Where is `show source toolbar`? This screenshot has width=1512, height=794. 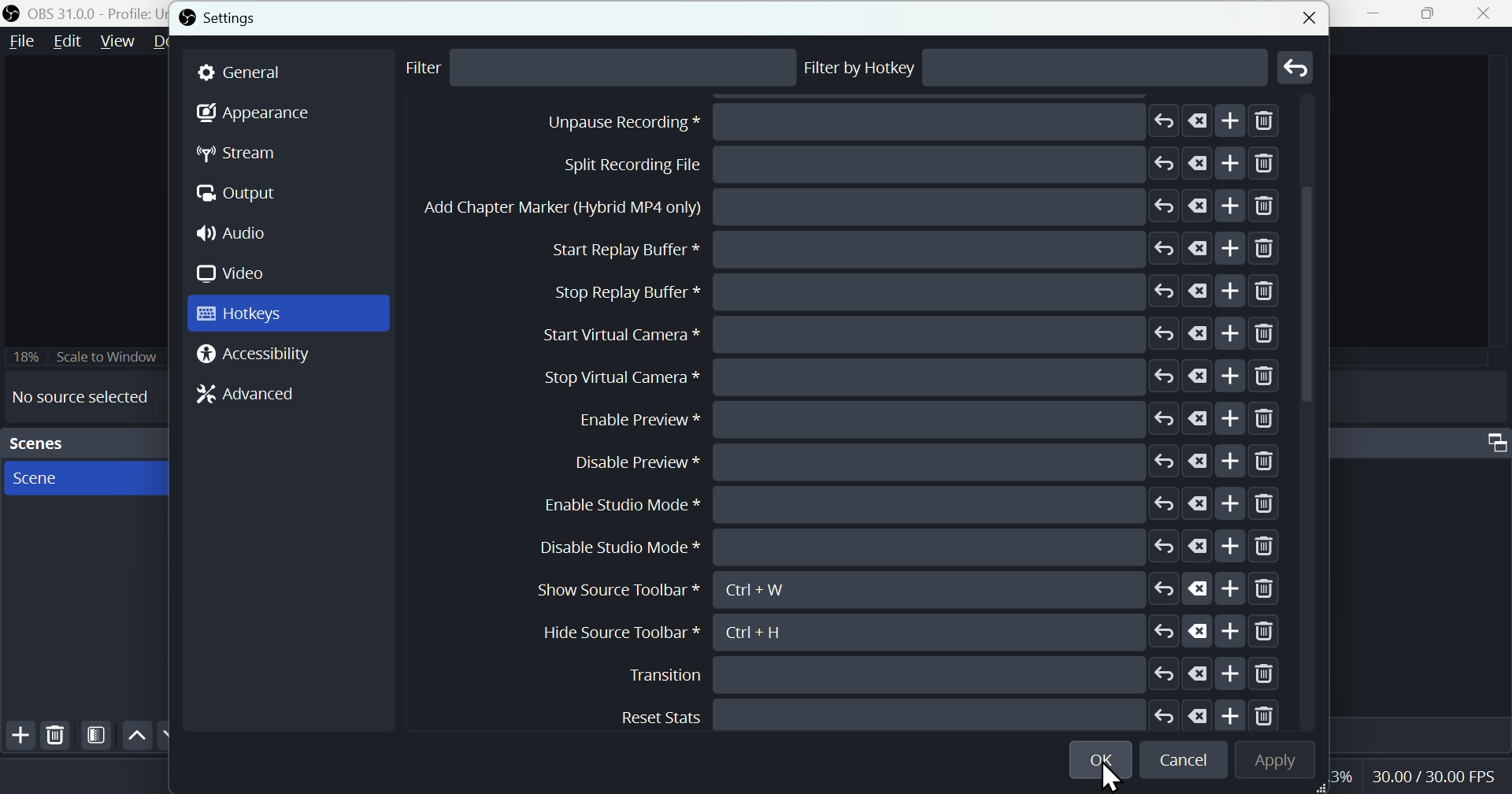 show source toolbar is located at coordinates (903, 590).